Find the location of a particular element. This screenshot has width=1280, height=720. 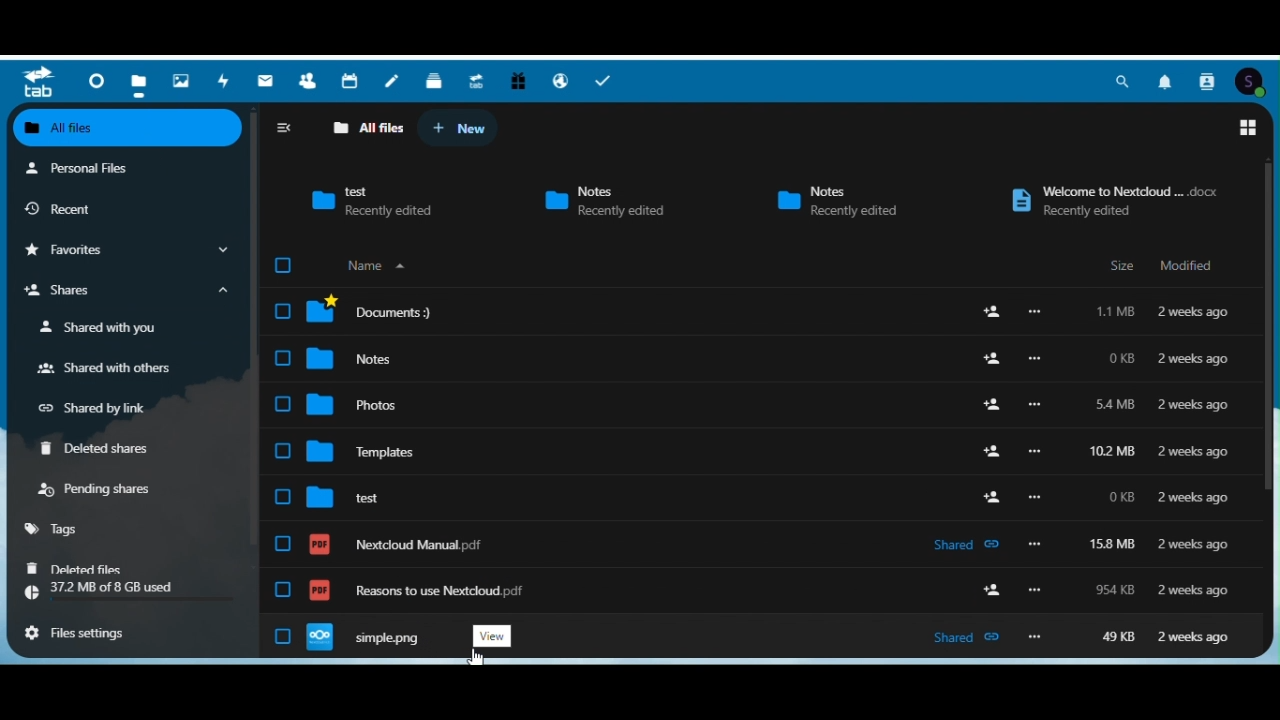

Activity is located at coordinates (223, 78).